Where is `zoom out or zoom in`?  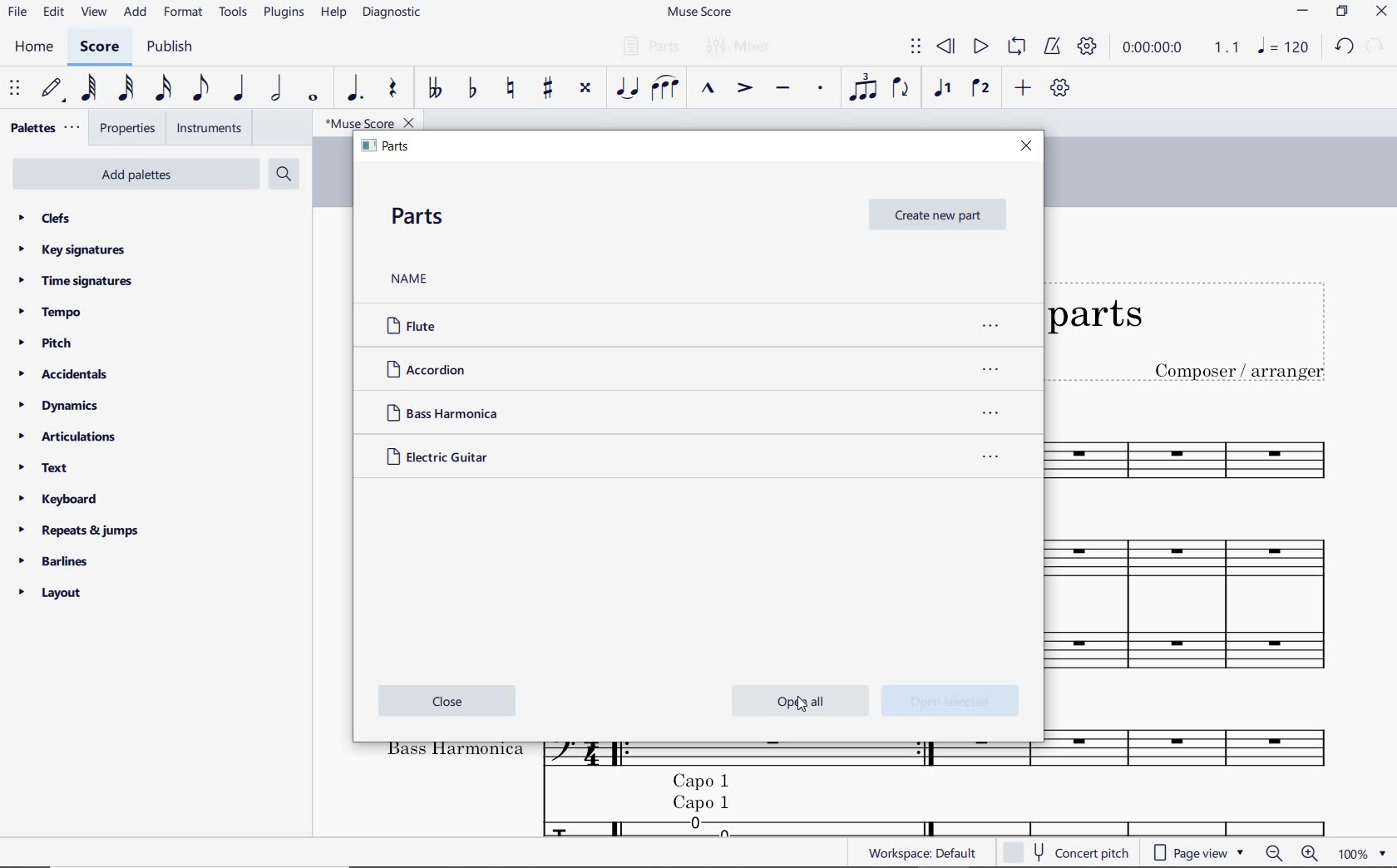
zoom out or zoom in is located at coordinates (1292, 854).